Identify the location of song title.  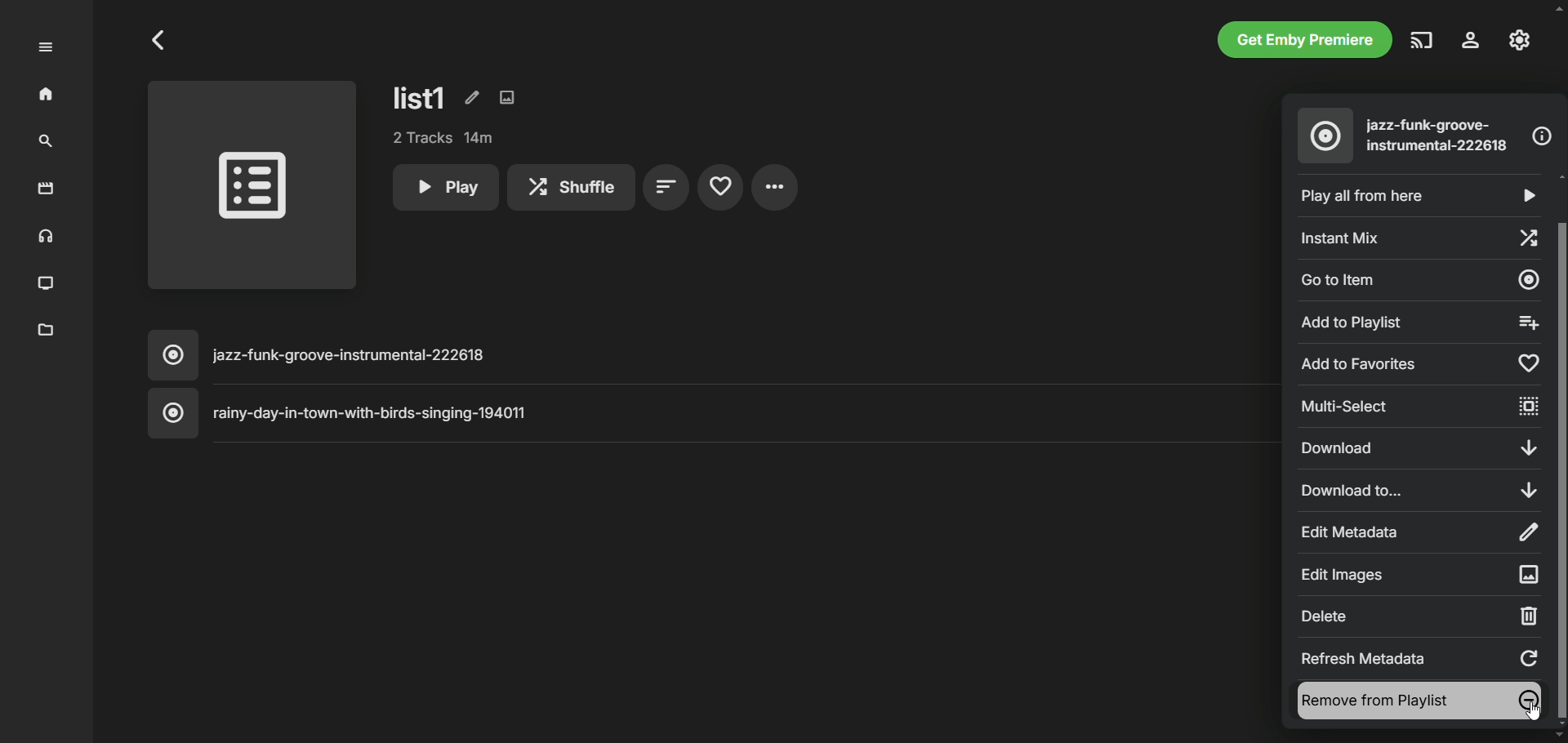
(1440, 136).